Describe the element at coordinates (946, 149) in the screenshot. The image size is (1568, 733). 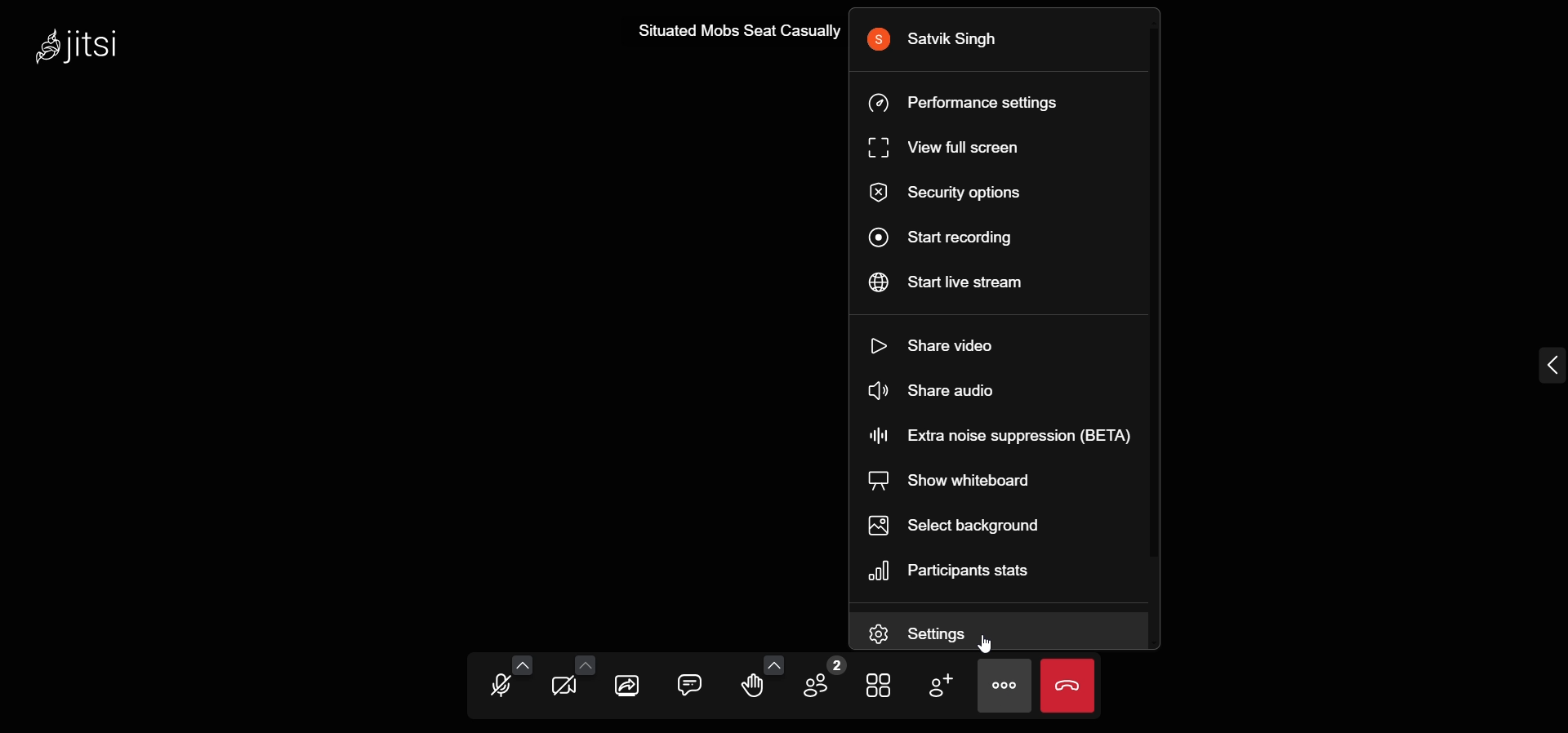
I see `view full screen` at that location.